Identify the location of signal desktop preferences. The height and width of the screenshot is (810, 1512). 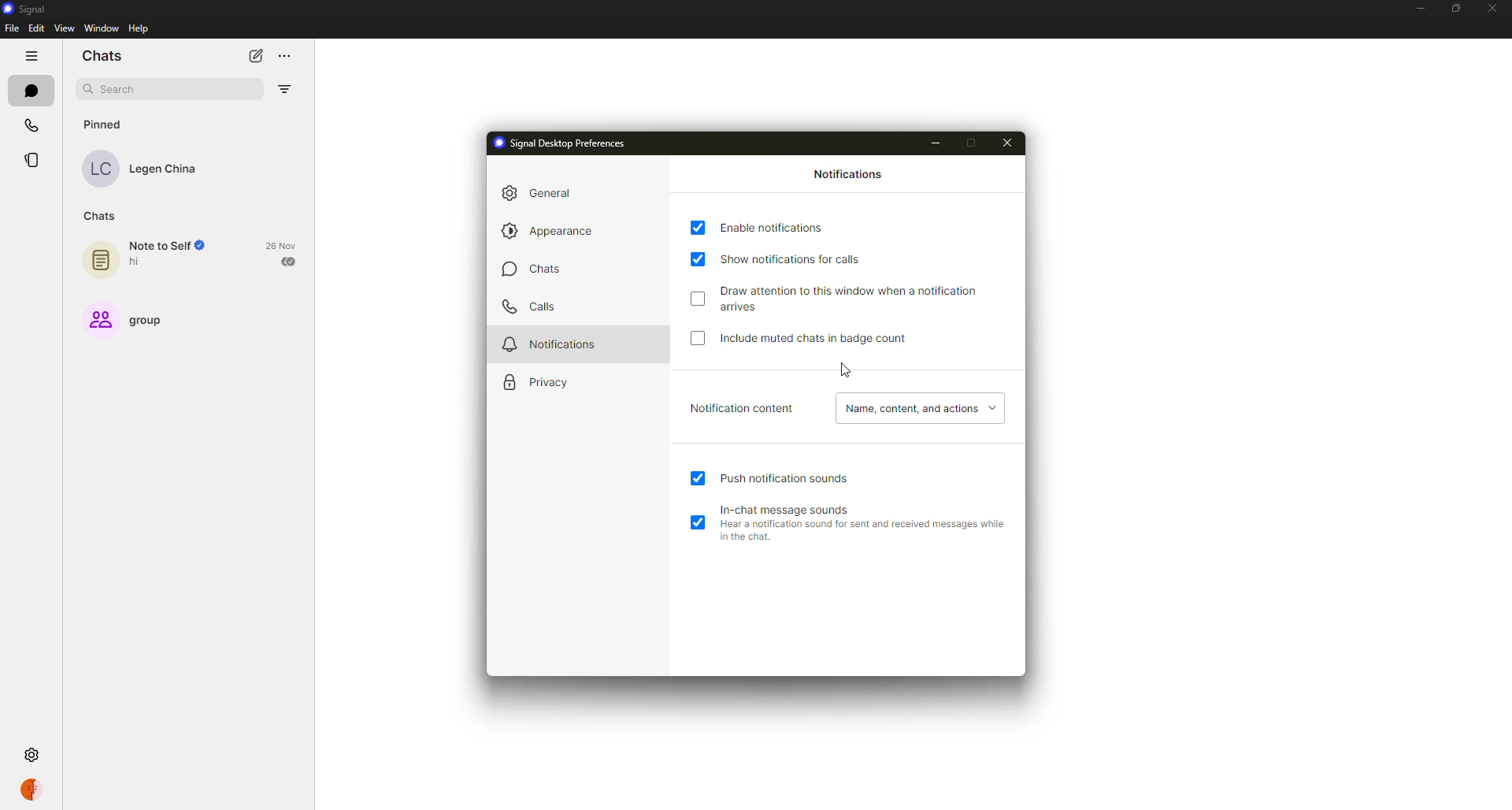
(564, 143).